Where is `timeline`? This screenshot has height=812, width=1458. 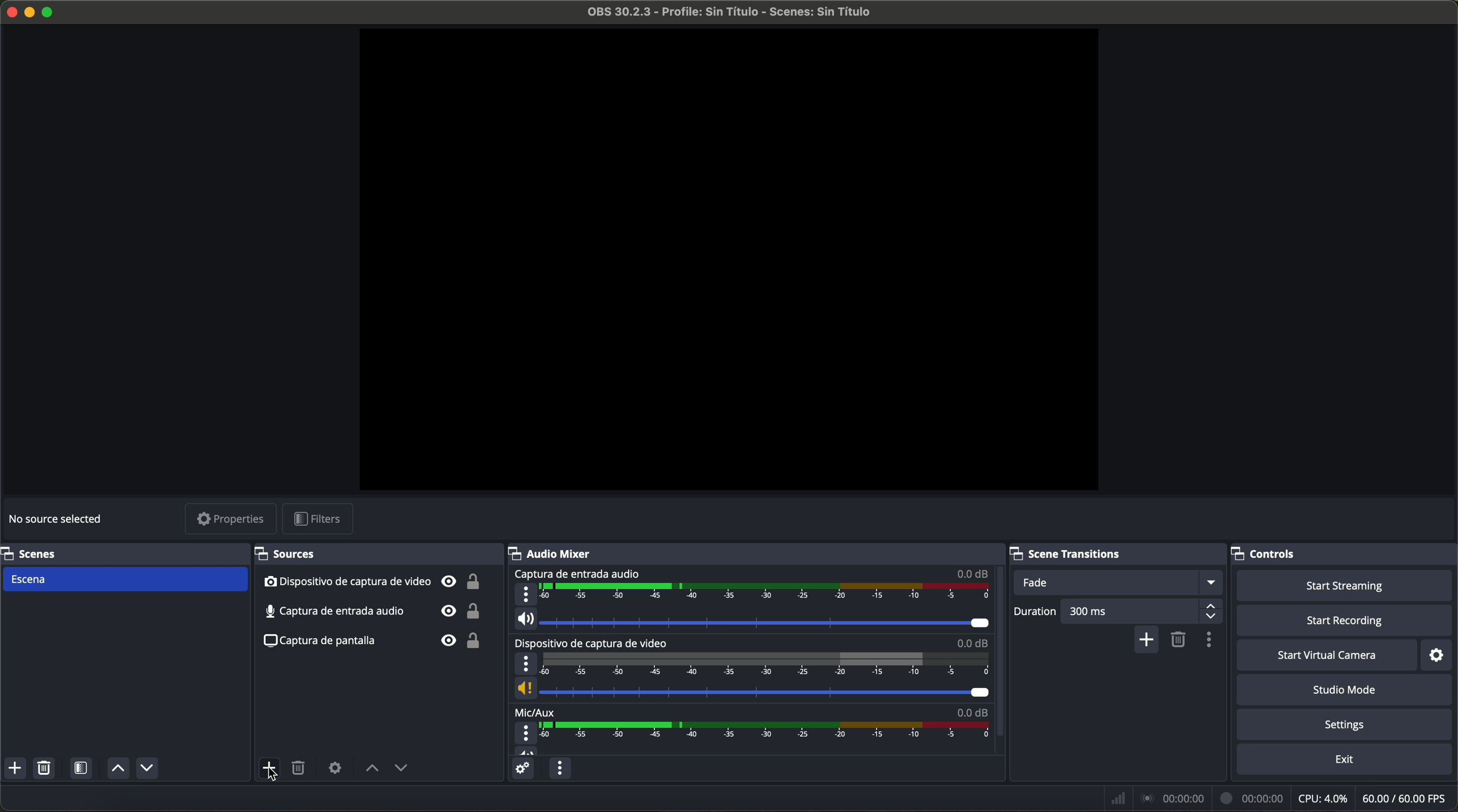
timeline is located at coordinates (766, 593).